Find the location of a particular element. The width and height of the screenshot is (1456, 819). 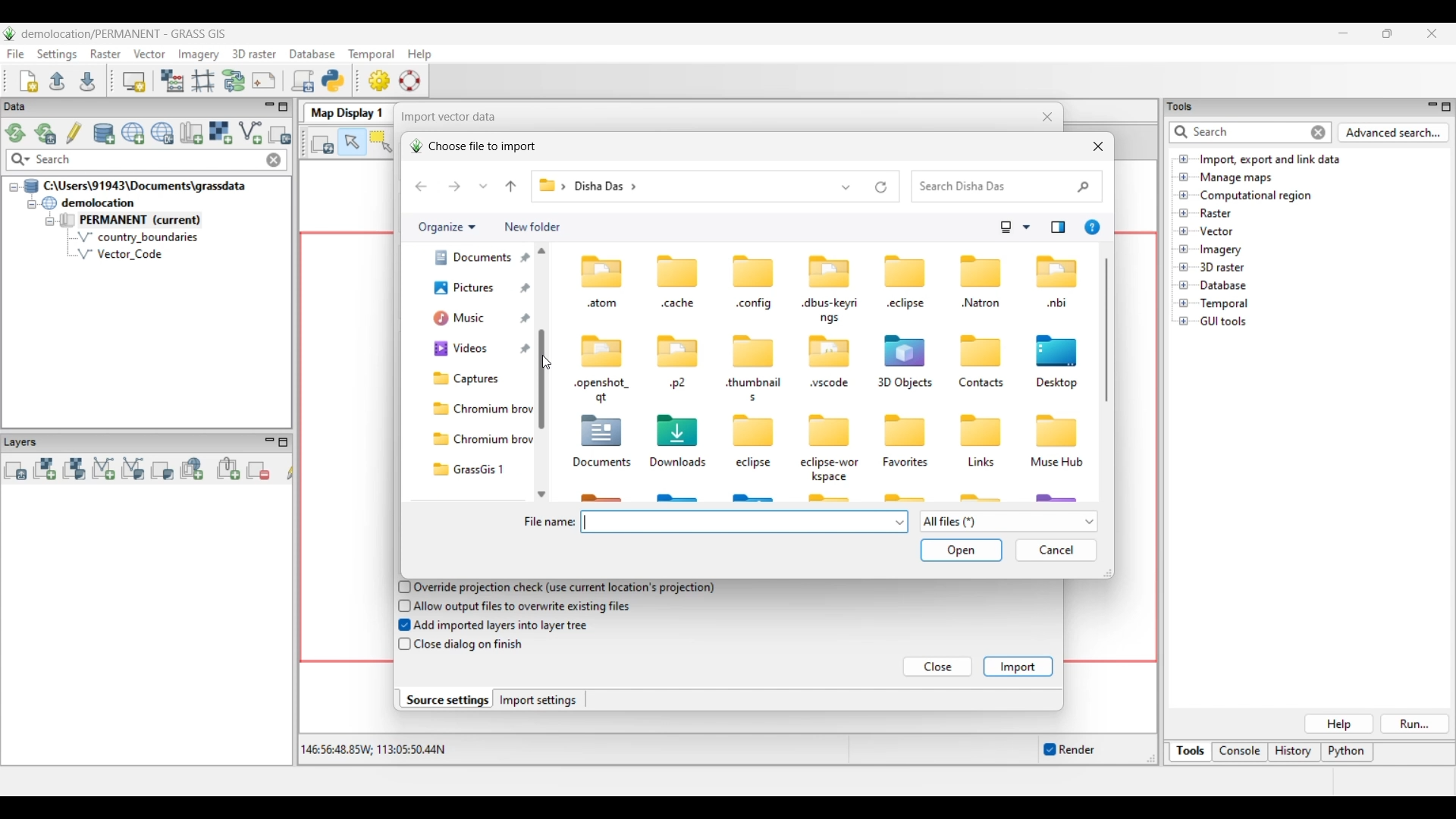

Vertical slide bar is located at coordinates (1106, 330).